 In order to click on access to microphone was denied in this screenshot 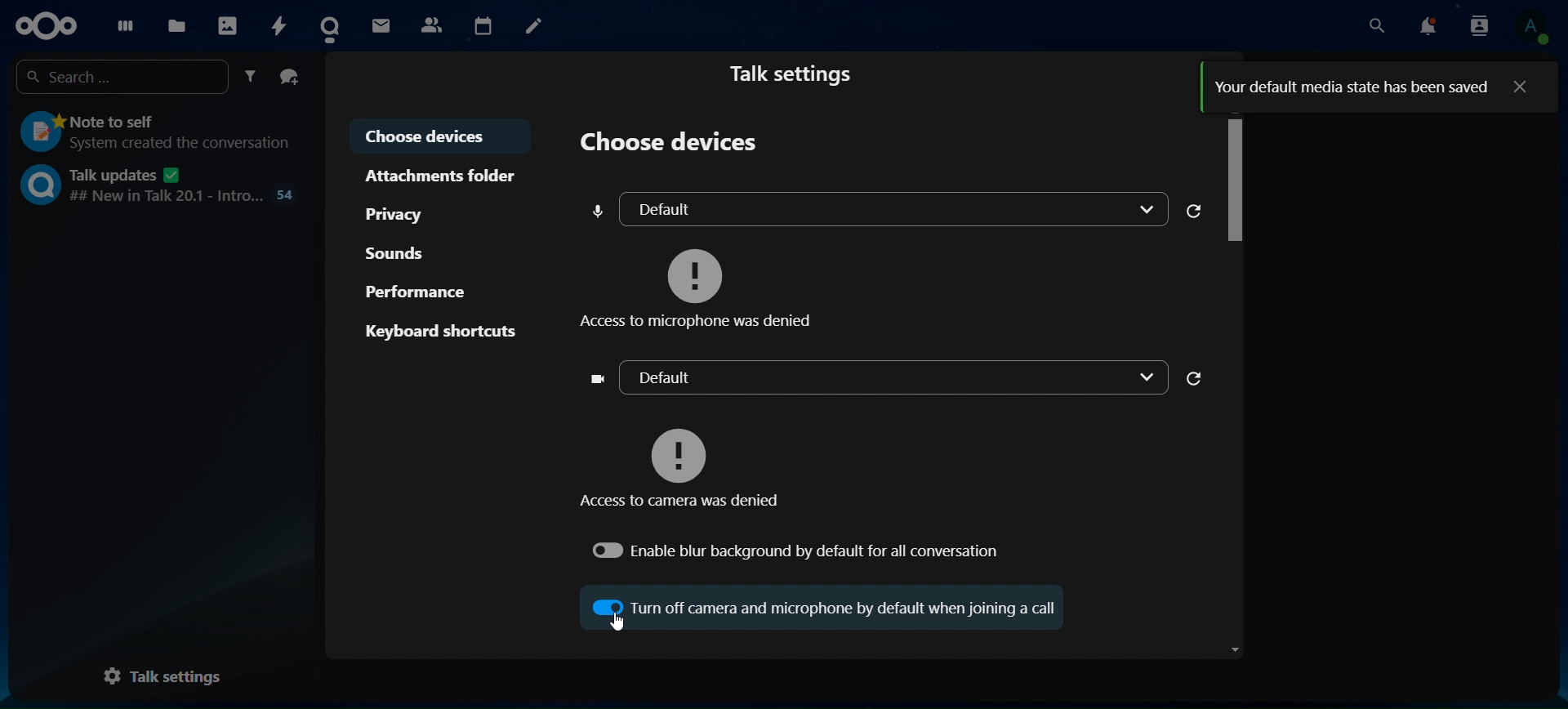, I will do `click(707, 283)`.